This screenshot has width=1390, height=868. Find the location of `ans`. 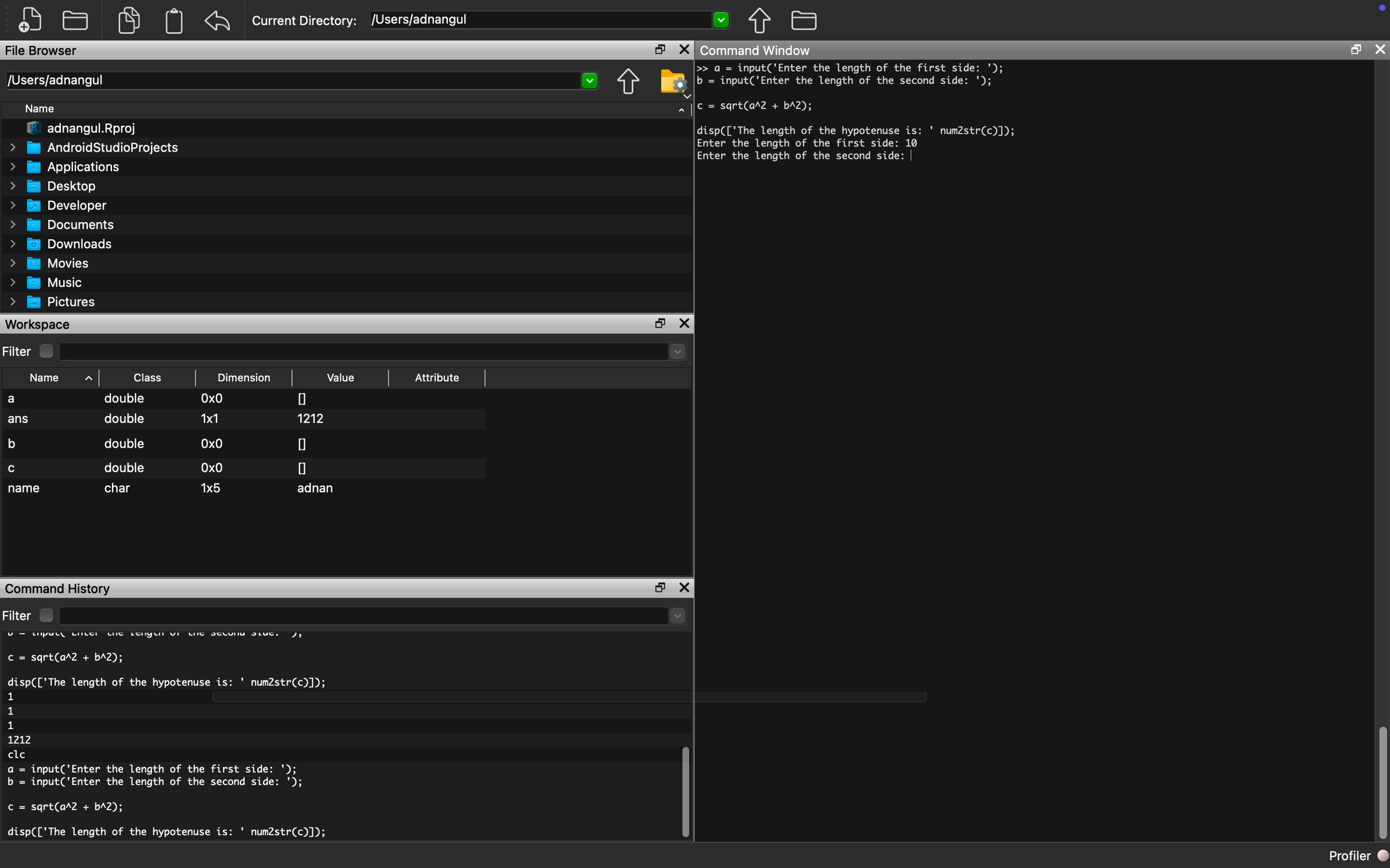

ans is located at coordinates (20, 421).